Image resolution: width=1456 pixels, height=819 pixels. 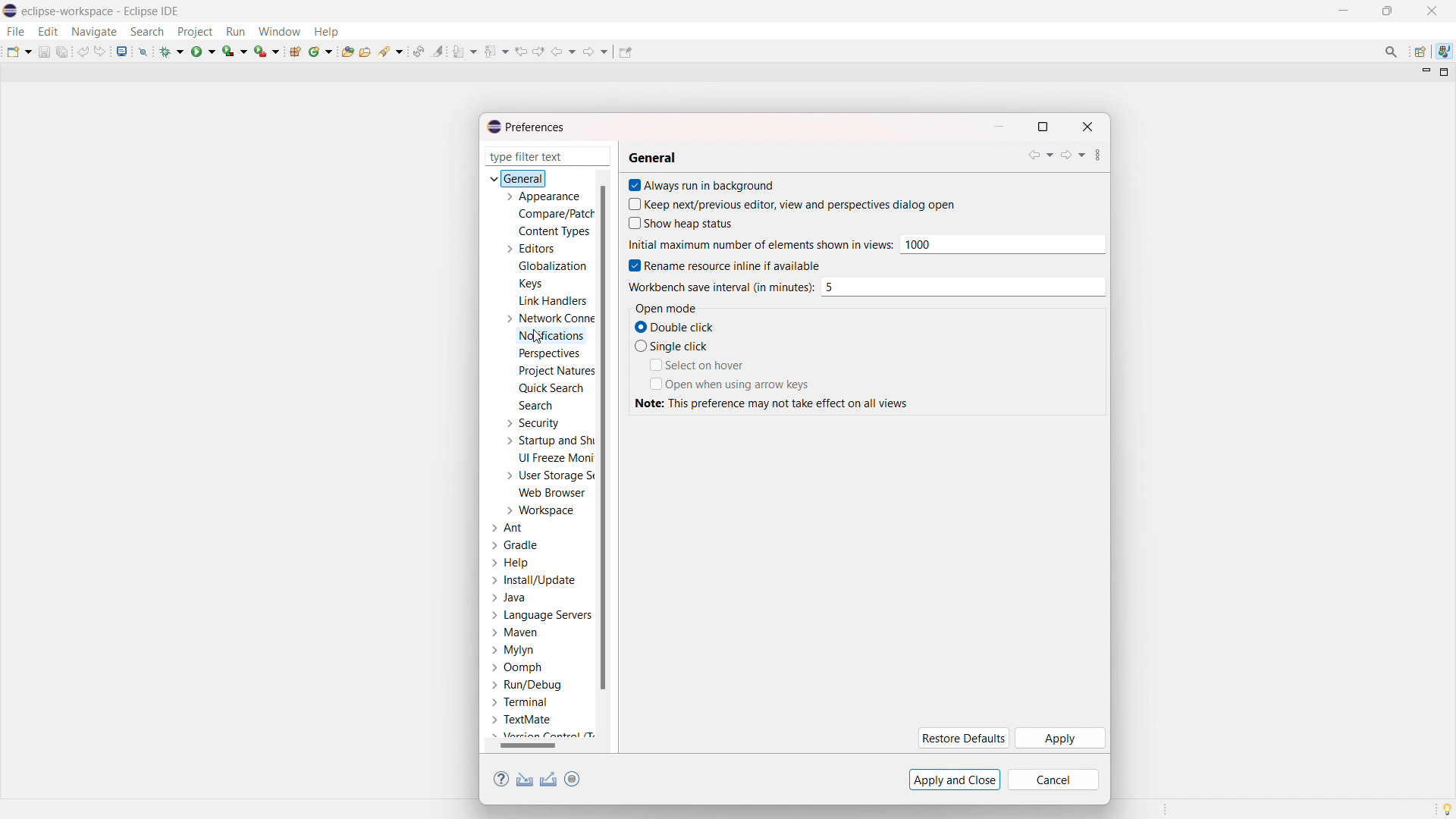 What do you see at coordinates (1040, 155) in the screenshot?
I see `back` at bounding box center [1040, 155].